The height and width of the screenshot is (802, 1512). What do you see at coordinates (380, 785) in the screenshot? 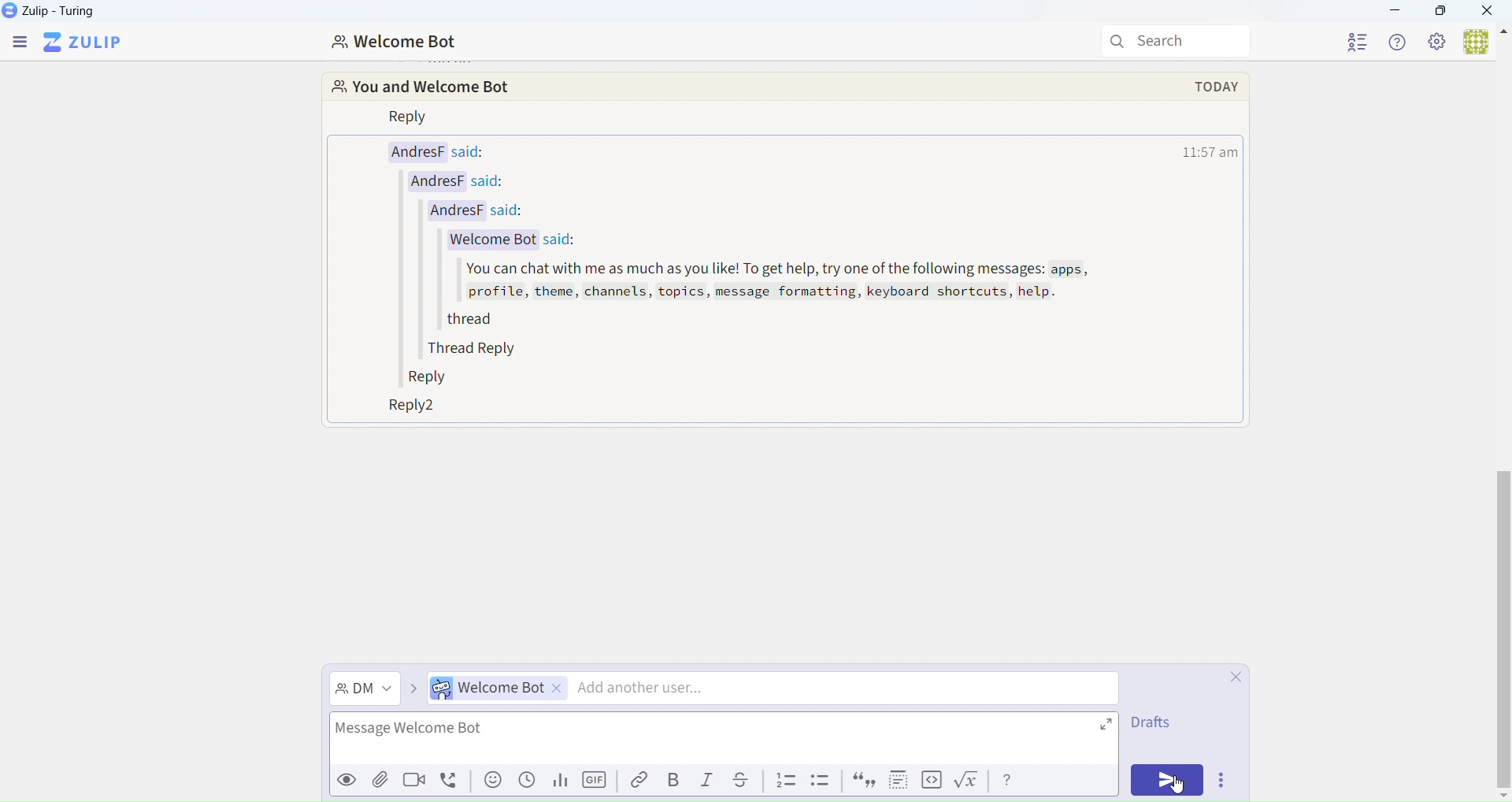
I see `attachment` at bounding box center [380, 785].